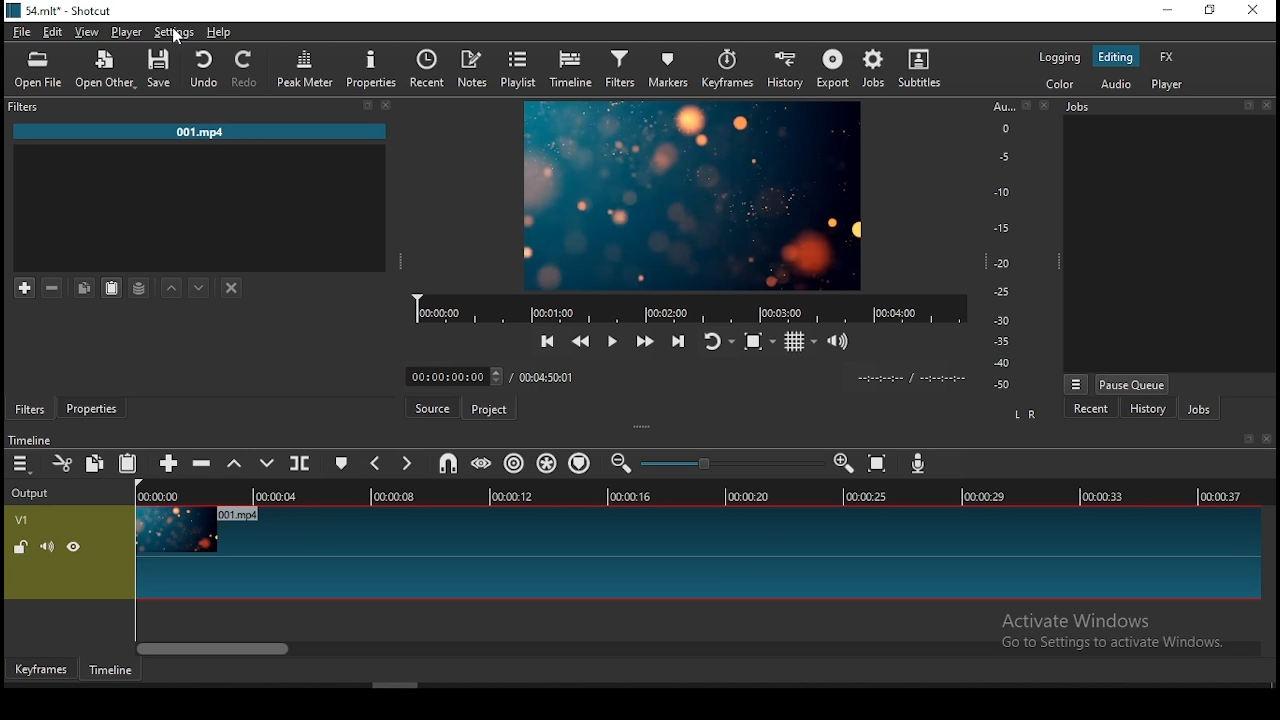 The width and height of the screenshot is (1280, 720). Describe the element at coordinates (450, 377) in the screenshot. I see `drop list` at that location.